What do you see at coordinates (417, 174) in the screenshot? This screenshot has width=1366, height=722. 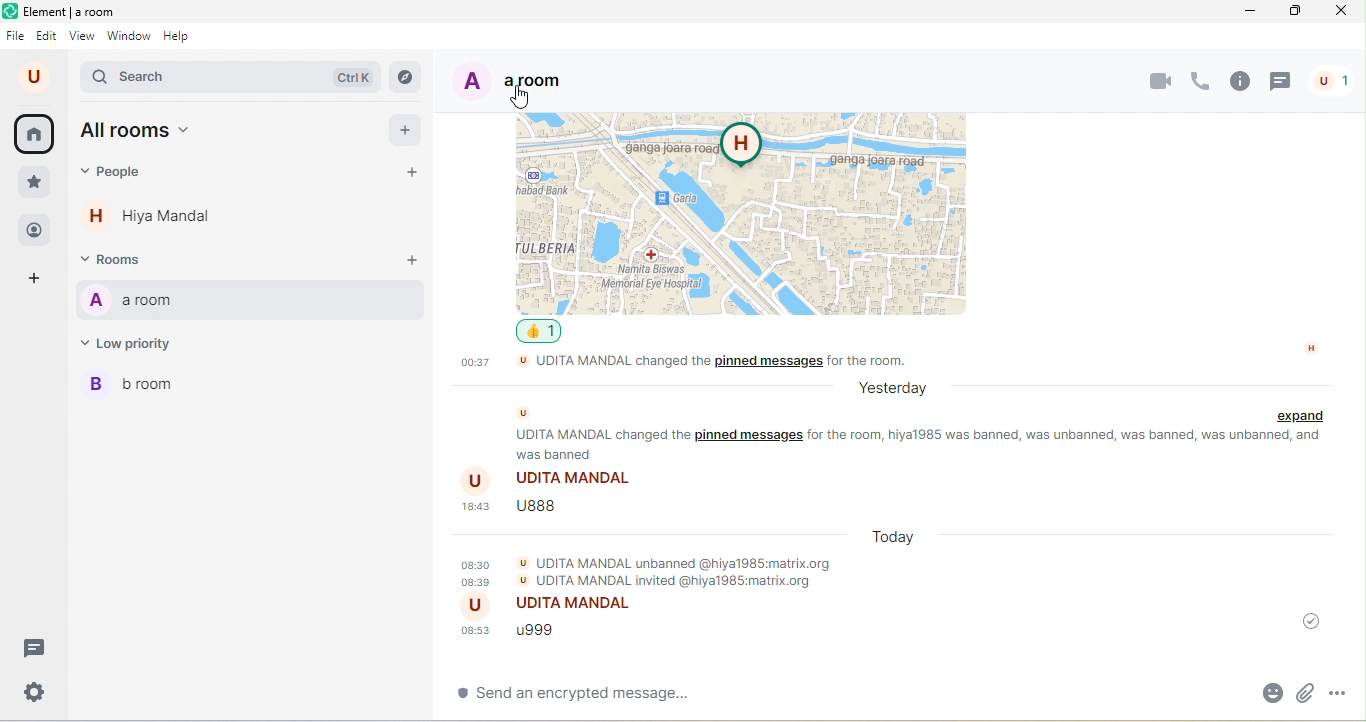 I see `start chat` at bounding box center [417, 174].